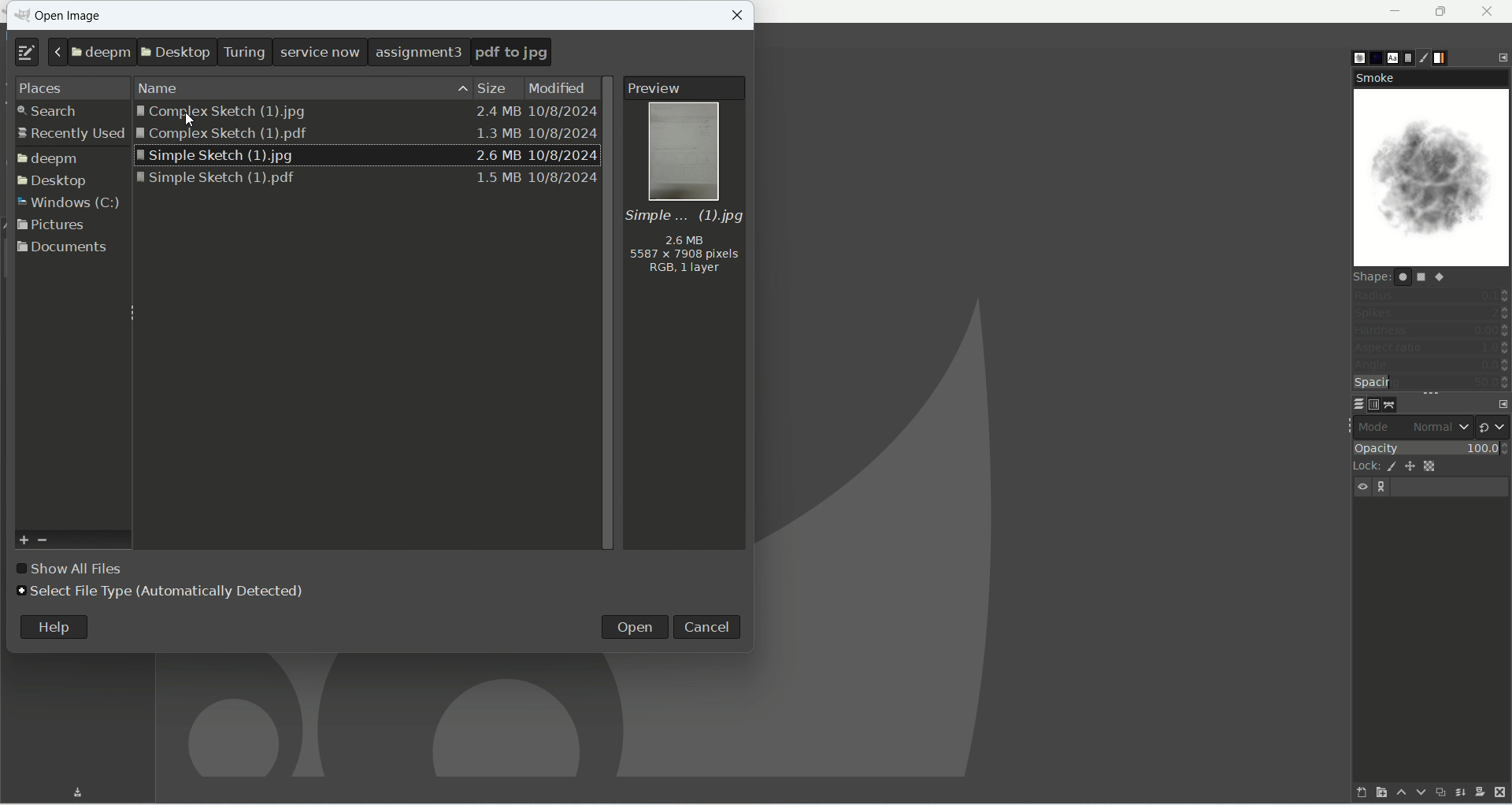 The image size is (1512, 805). I want to click on switch to another group, so click(1492, 426).